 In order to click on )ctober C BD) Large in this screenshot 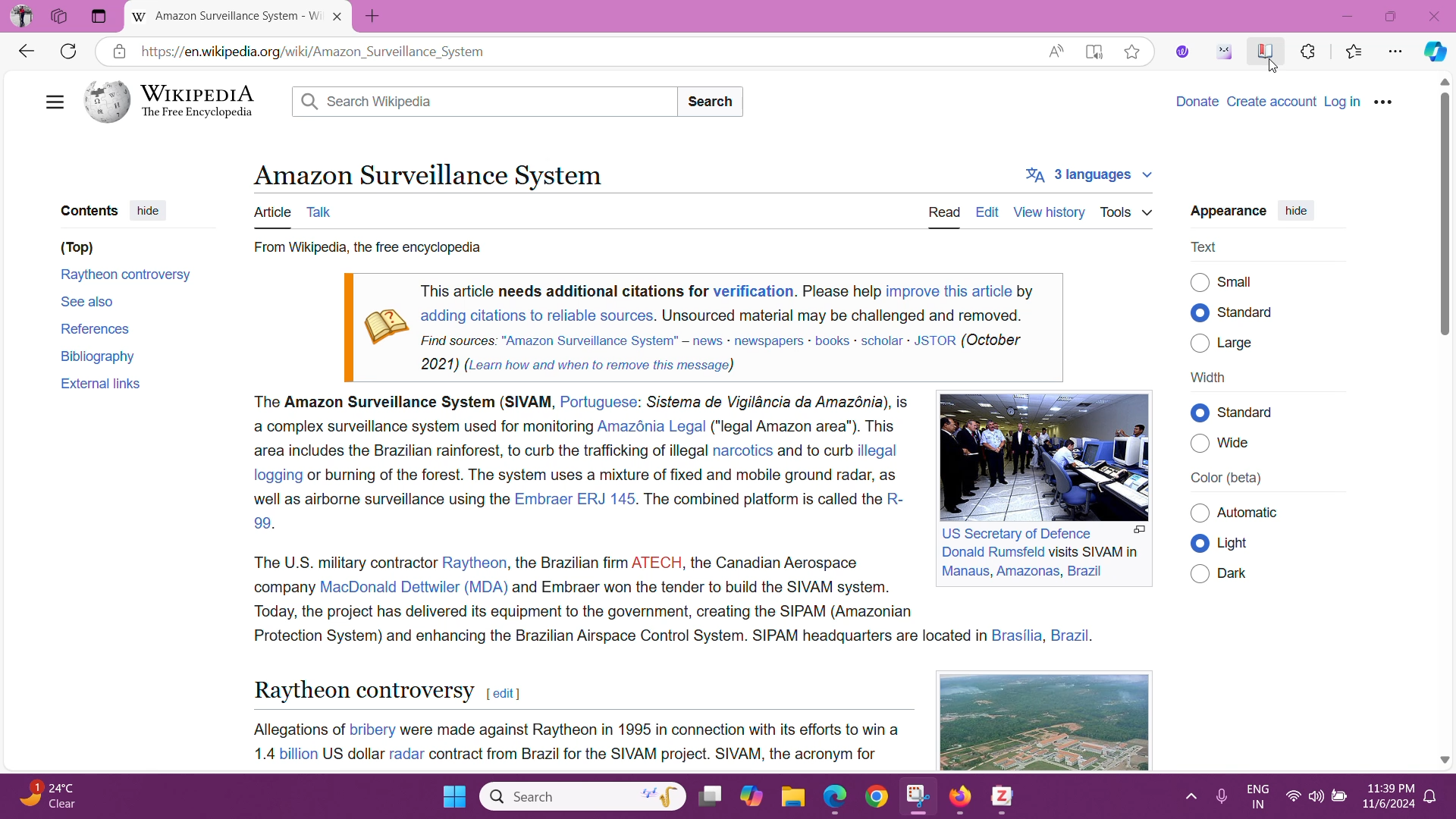, I will do `click(1244, 343)`.